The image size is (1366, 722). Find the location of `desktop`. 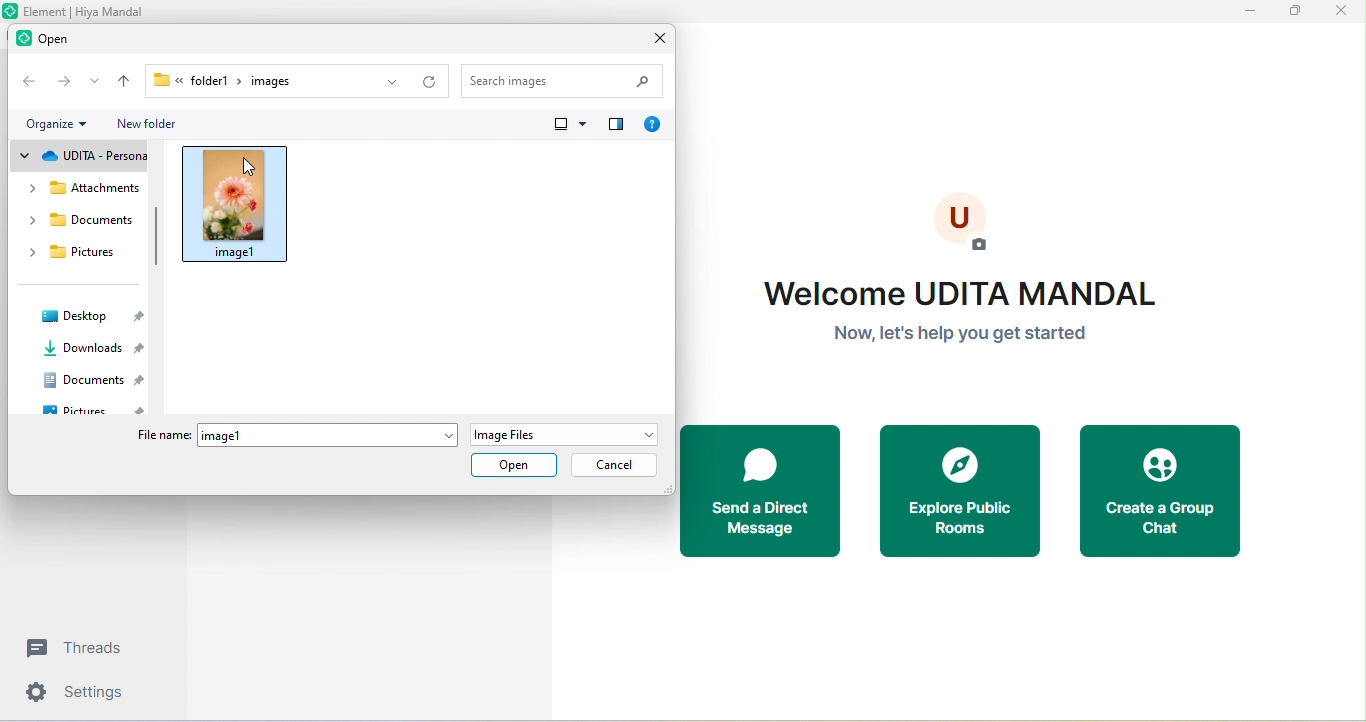

desktop is located at coordinates (91, 314).